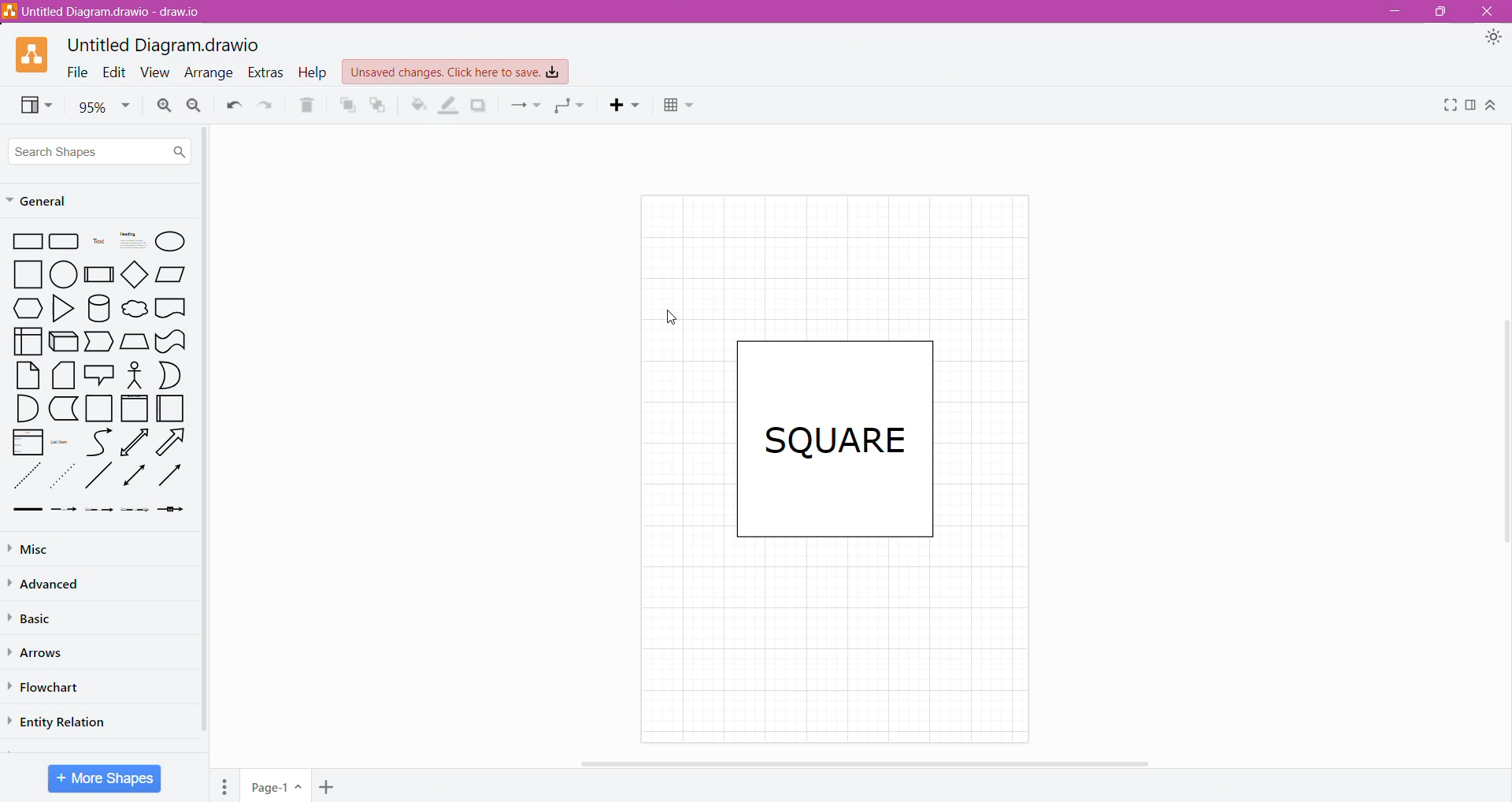 This screenshot has height=802, width=1512. I want to click on Right Diagonal Arrow , so click(172, 443).